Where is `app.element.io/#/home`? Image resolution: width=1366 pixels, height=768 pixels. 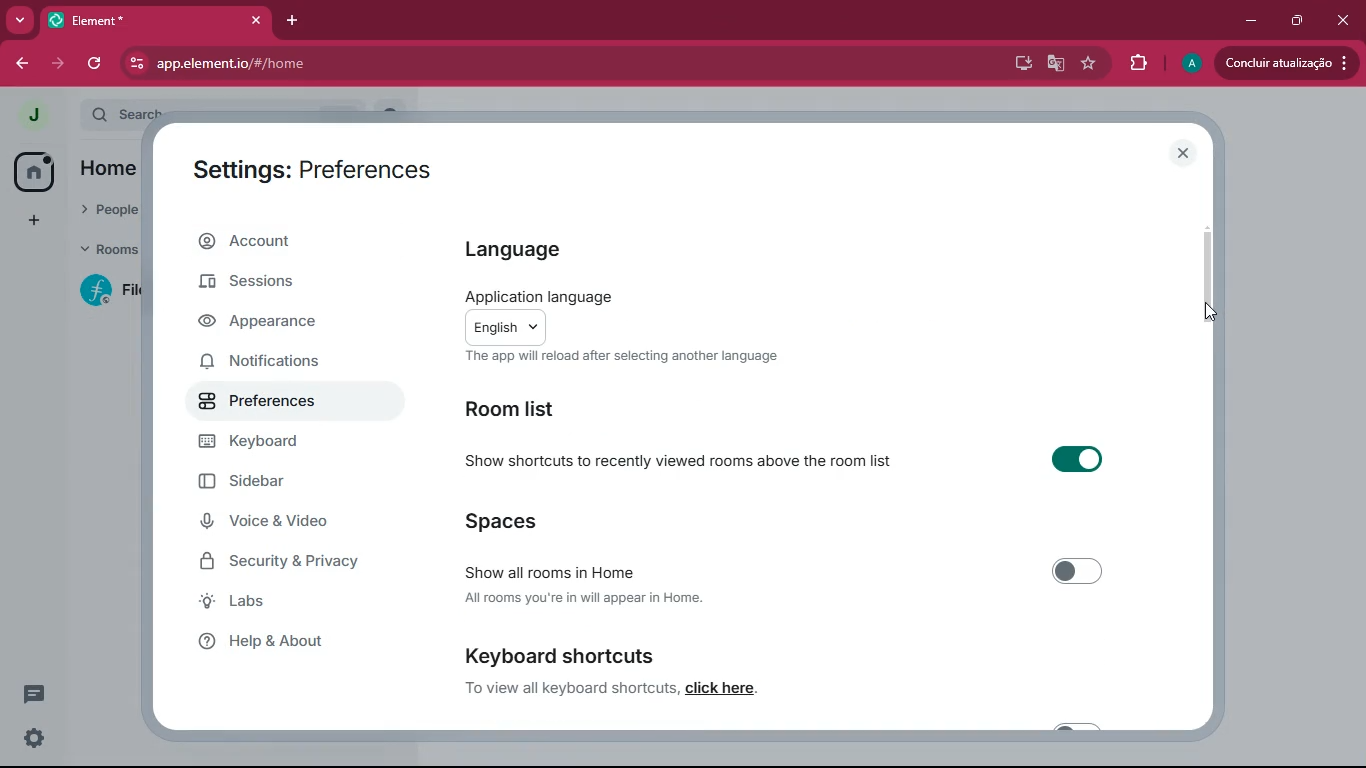
app.element.io/#/home is located at coordinates (318, 65).